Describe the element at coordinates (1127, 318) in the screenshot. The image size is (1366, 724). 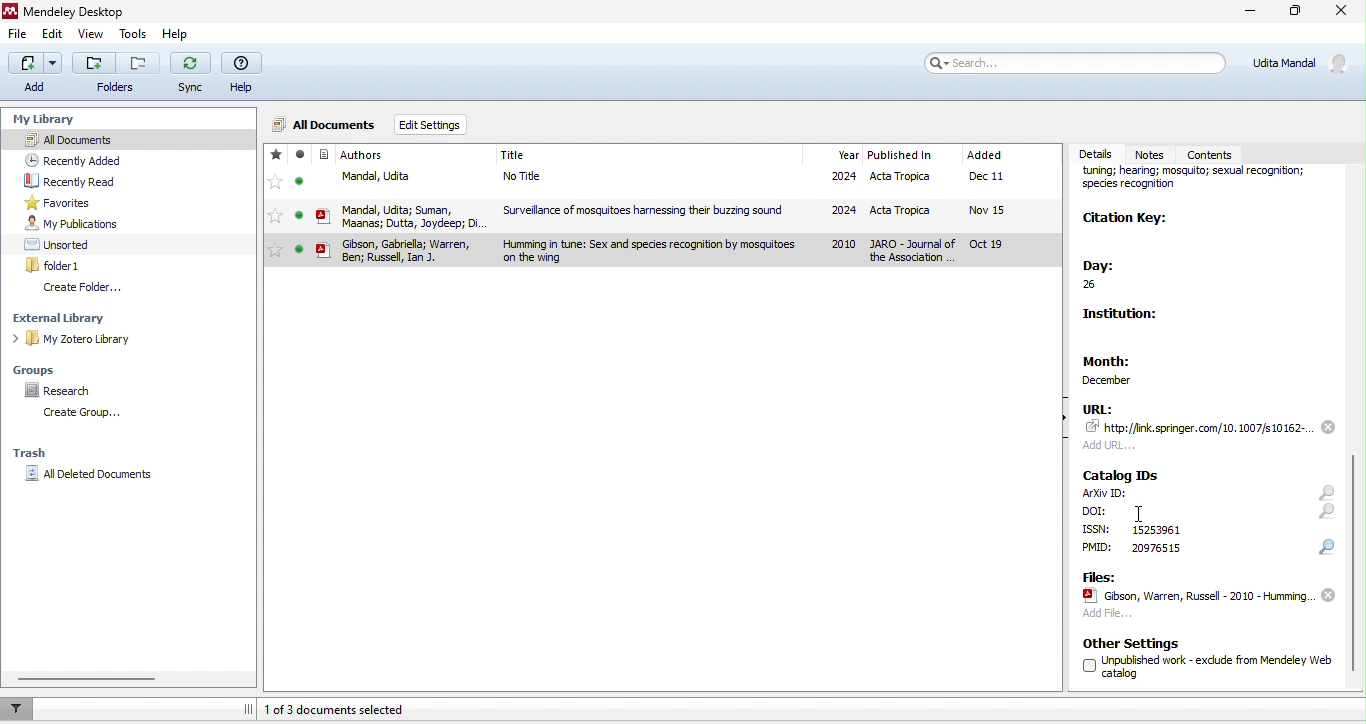
I see `institution` at that location.